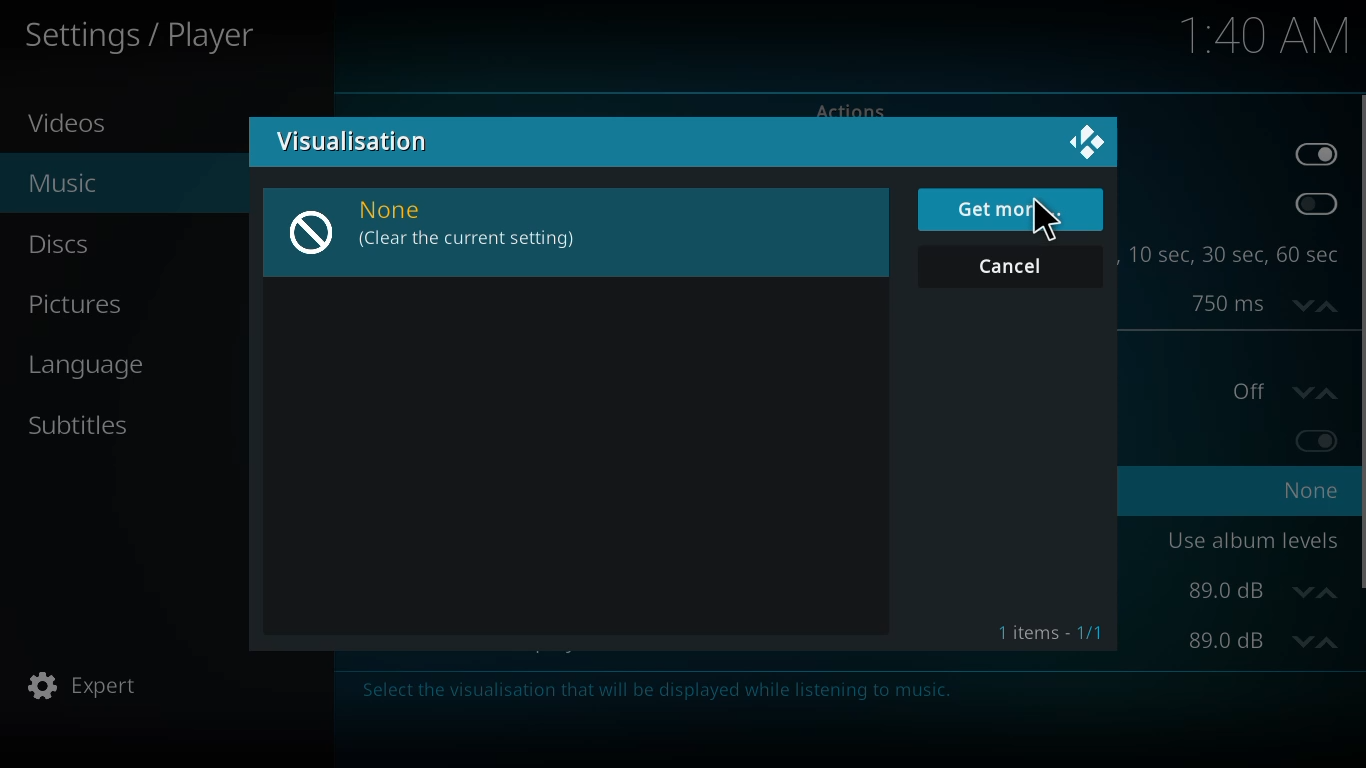 Image resolution: width=1366 pixels, height=768 pixels. What do you see at coordinates (148, 36) in the screenshot?
I see `player` at bounding box center [148, 36].